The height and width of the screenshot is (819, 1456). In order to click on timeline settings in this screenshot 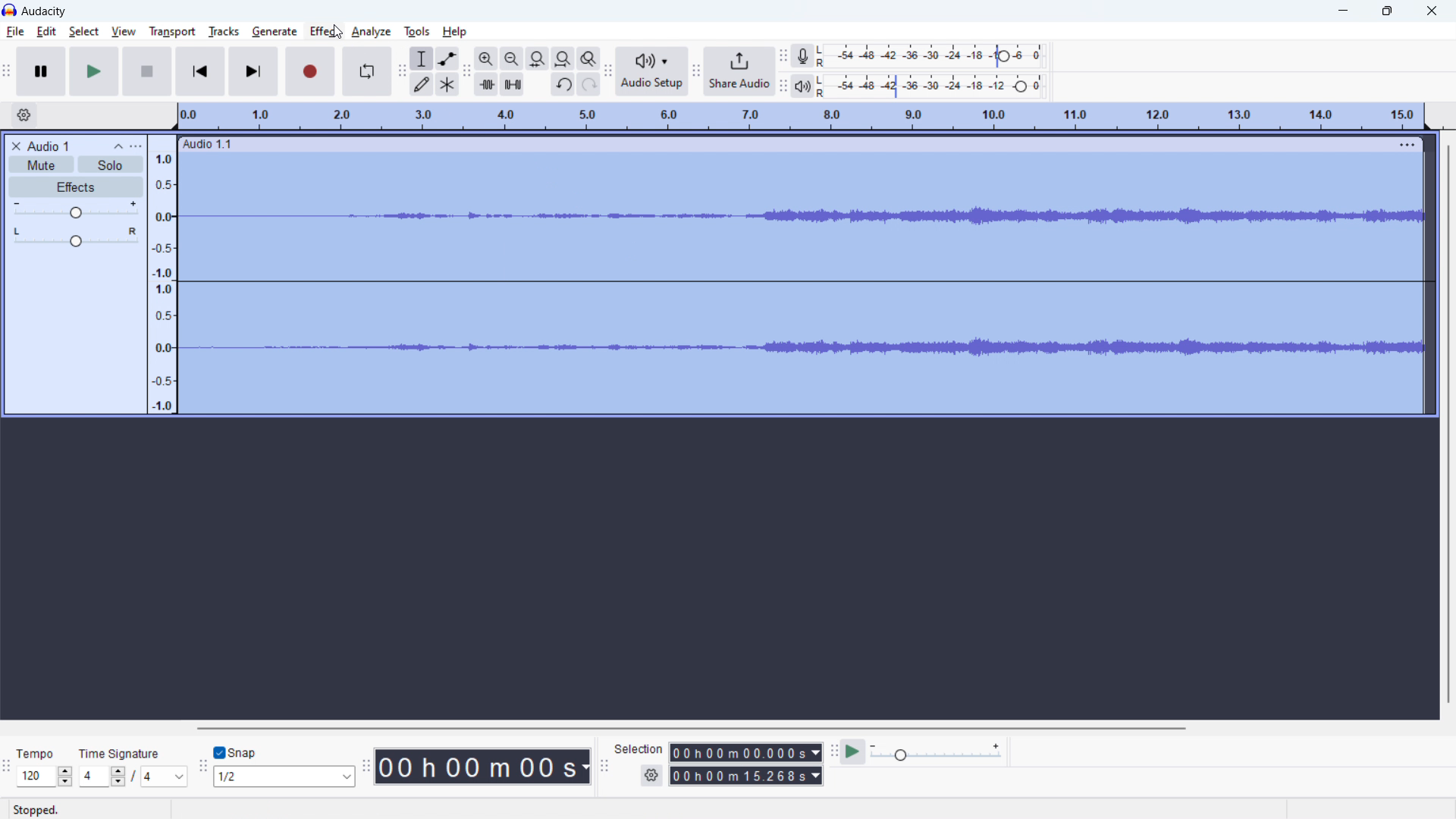, I will do `click(24, 115)`.